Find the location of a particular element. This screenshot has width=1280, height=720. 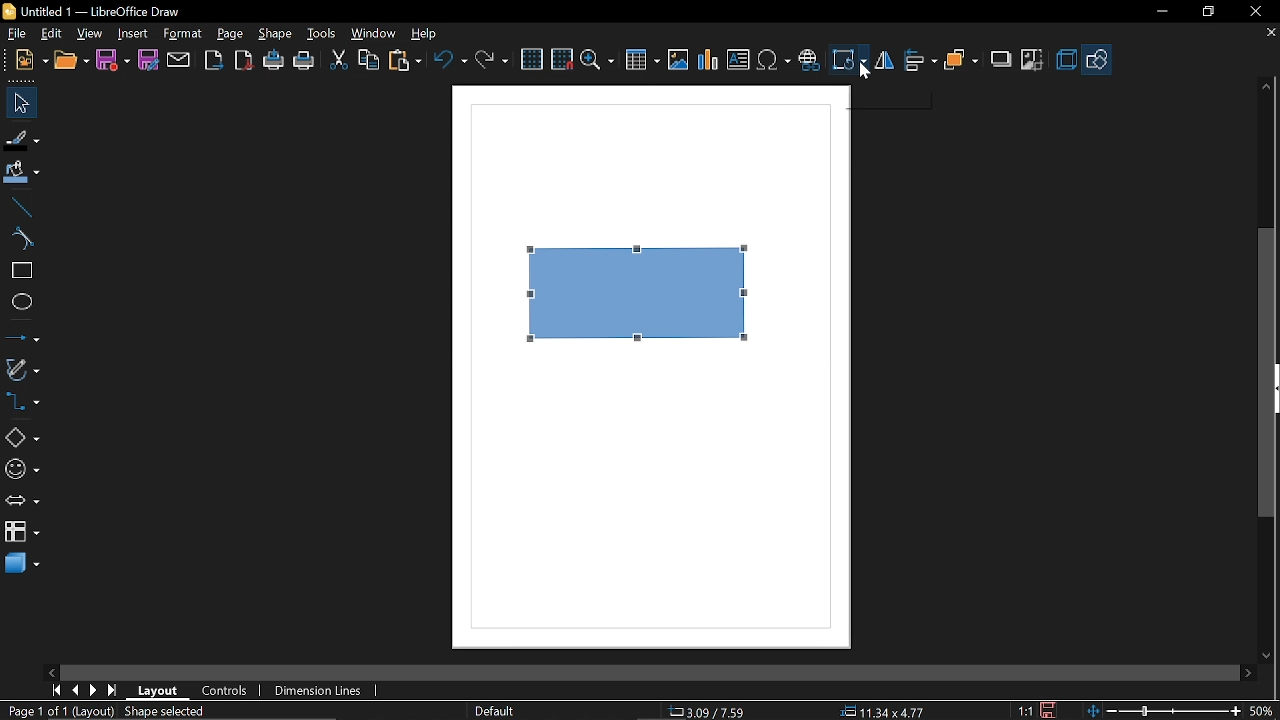

save is located at coordinates (1051, 709).